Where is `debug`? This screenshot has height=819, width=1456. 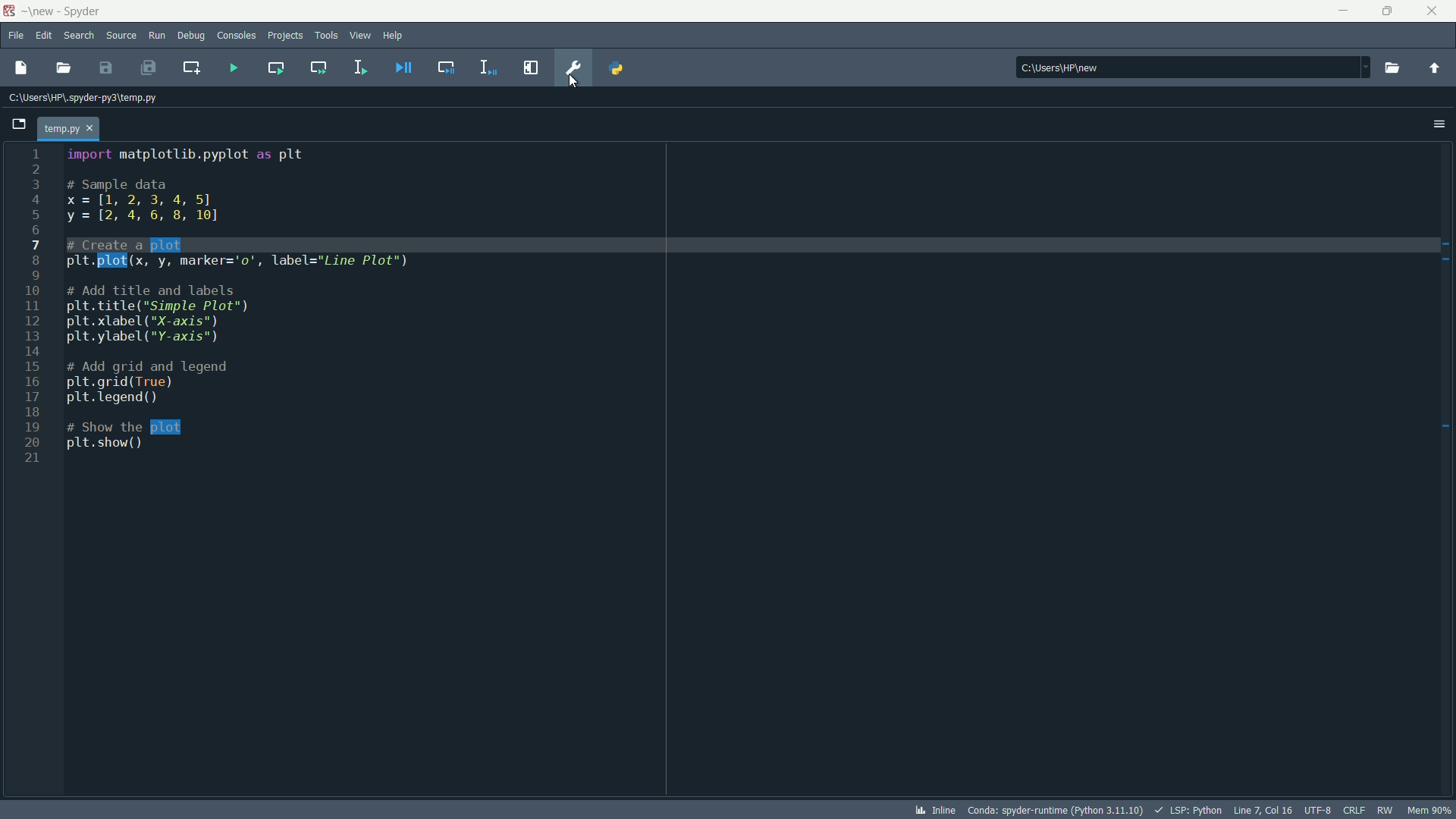
debug is located at coordinates (190, 35).